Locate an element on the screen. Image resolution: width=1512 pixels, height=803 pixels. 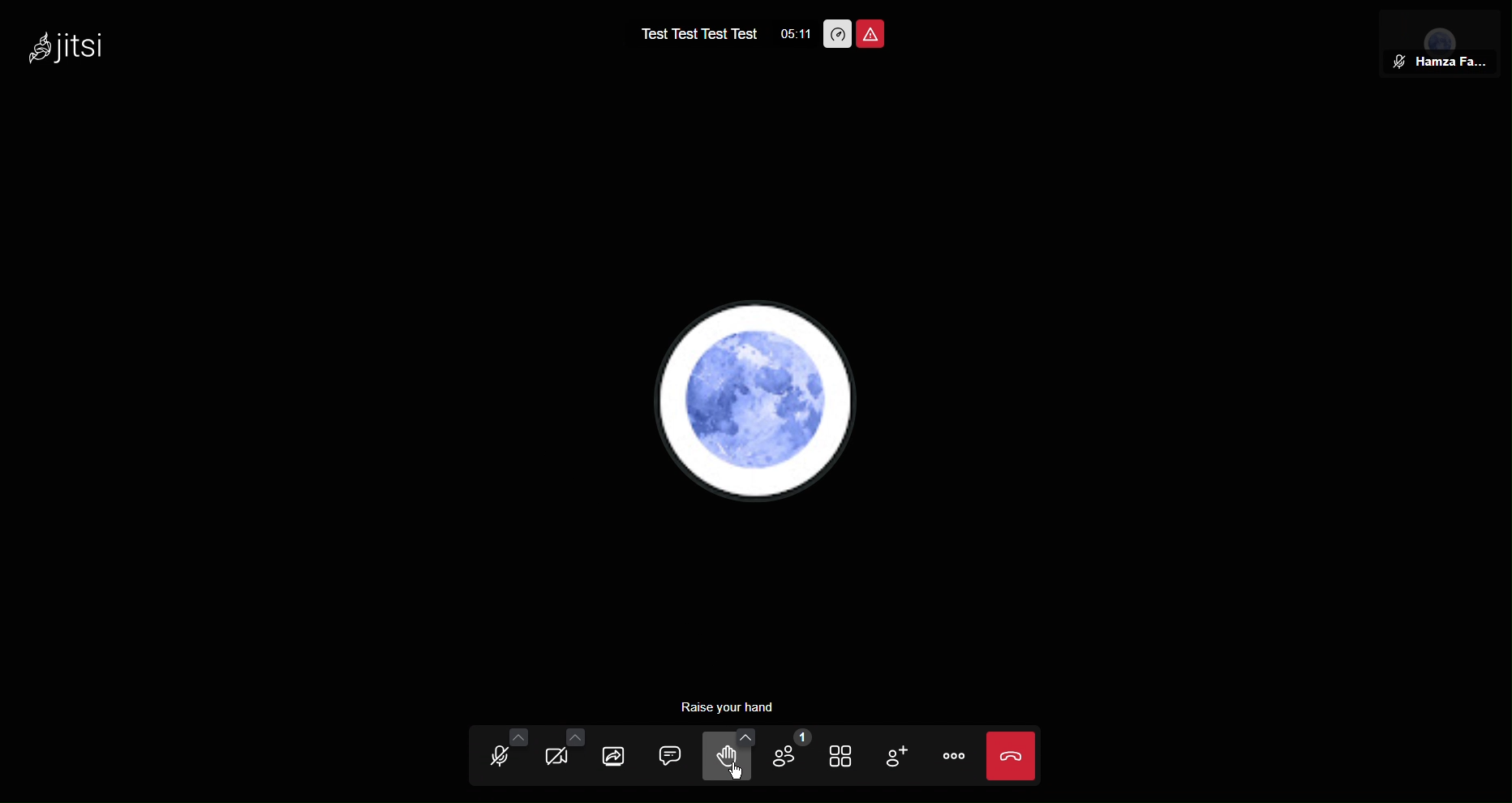
Share Screen is located at coordinates (623, 752).